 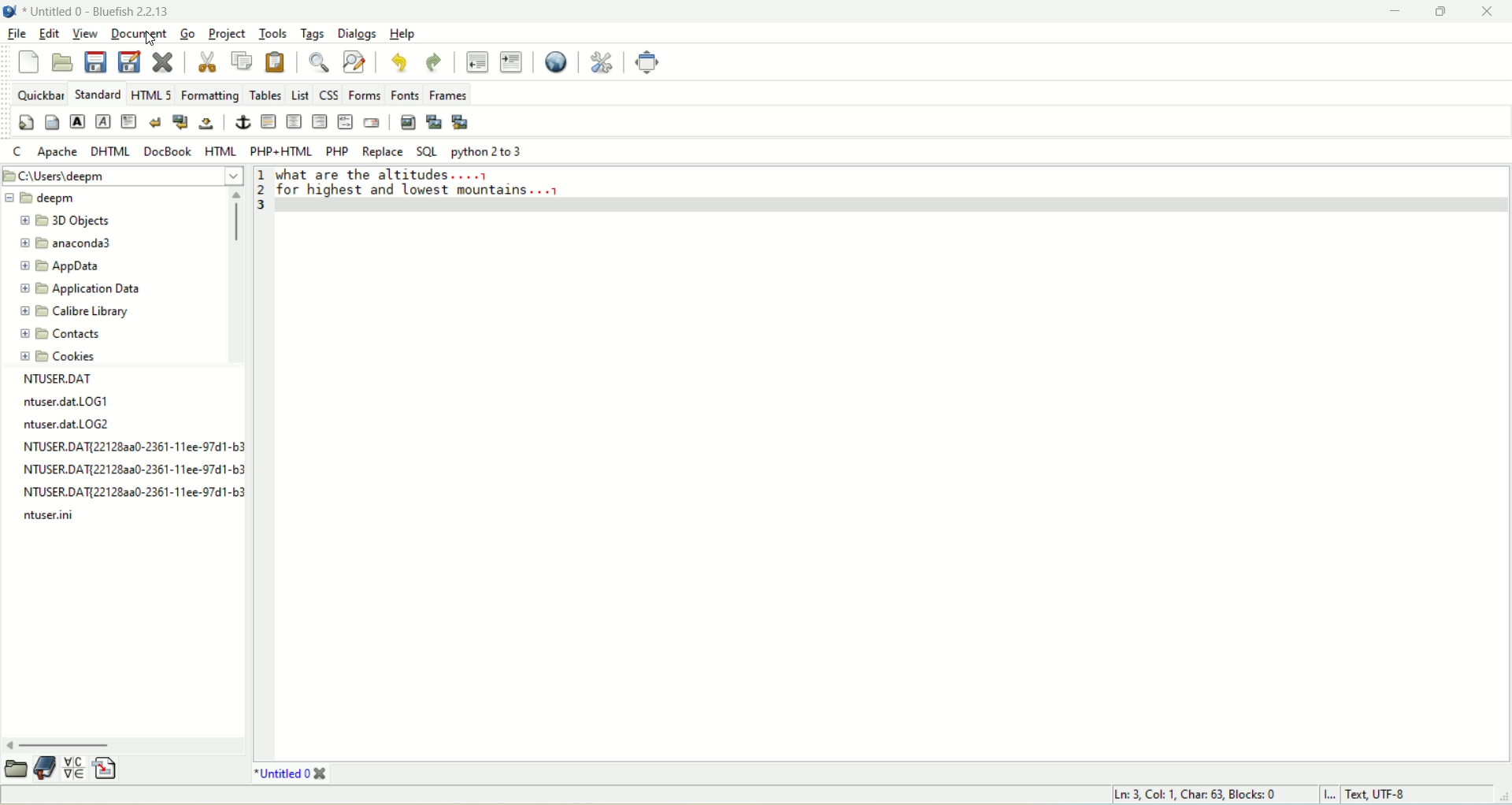 What do you see at coordinates (327, 91) in the screenshot?
I see `CSS` at bounding box center [327, 91].